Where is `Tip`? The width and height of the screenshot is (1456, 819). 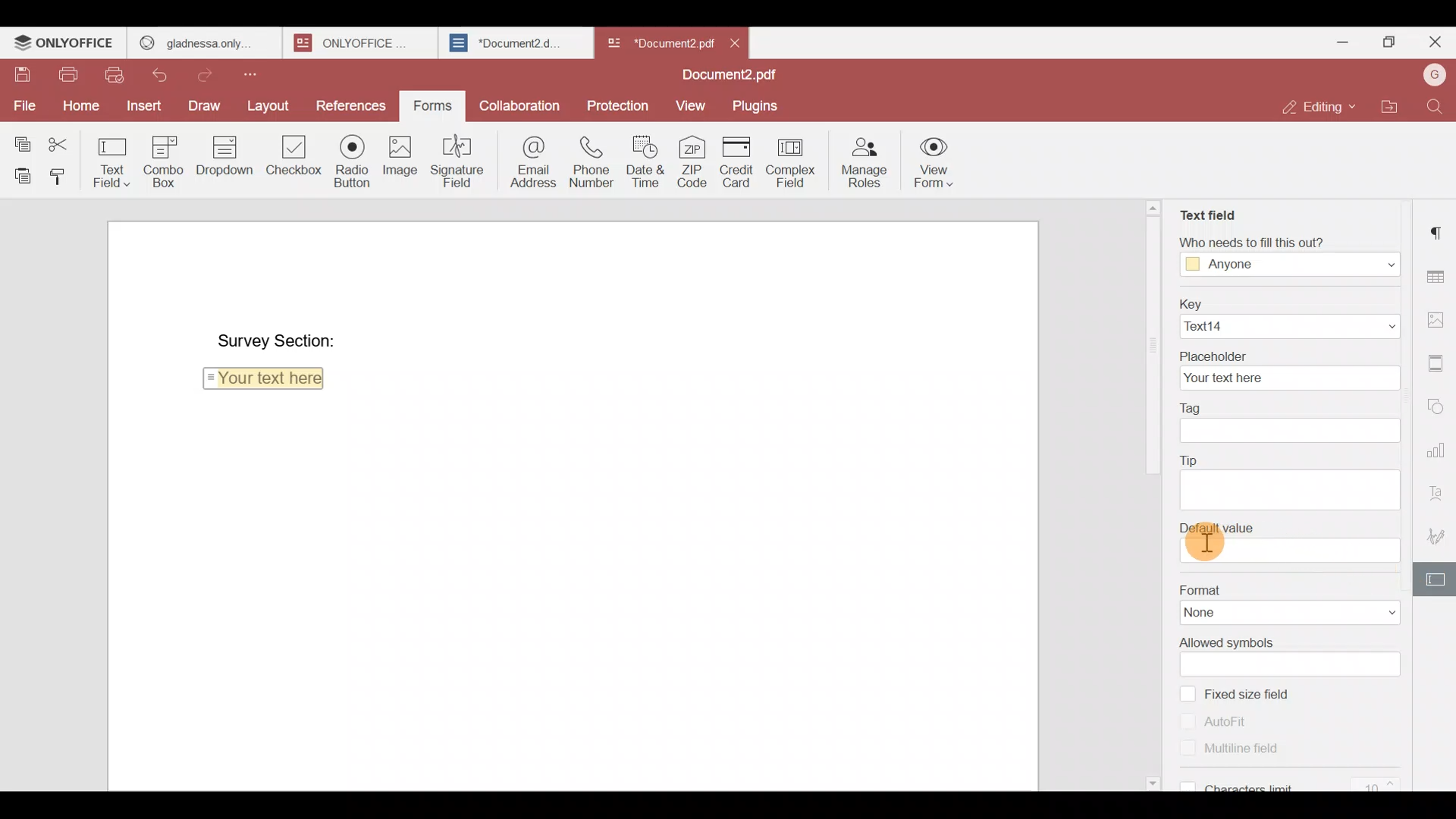
Tip is located at coordinates (1286, 460).